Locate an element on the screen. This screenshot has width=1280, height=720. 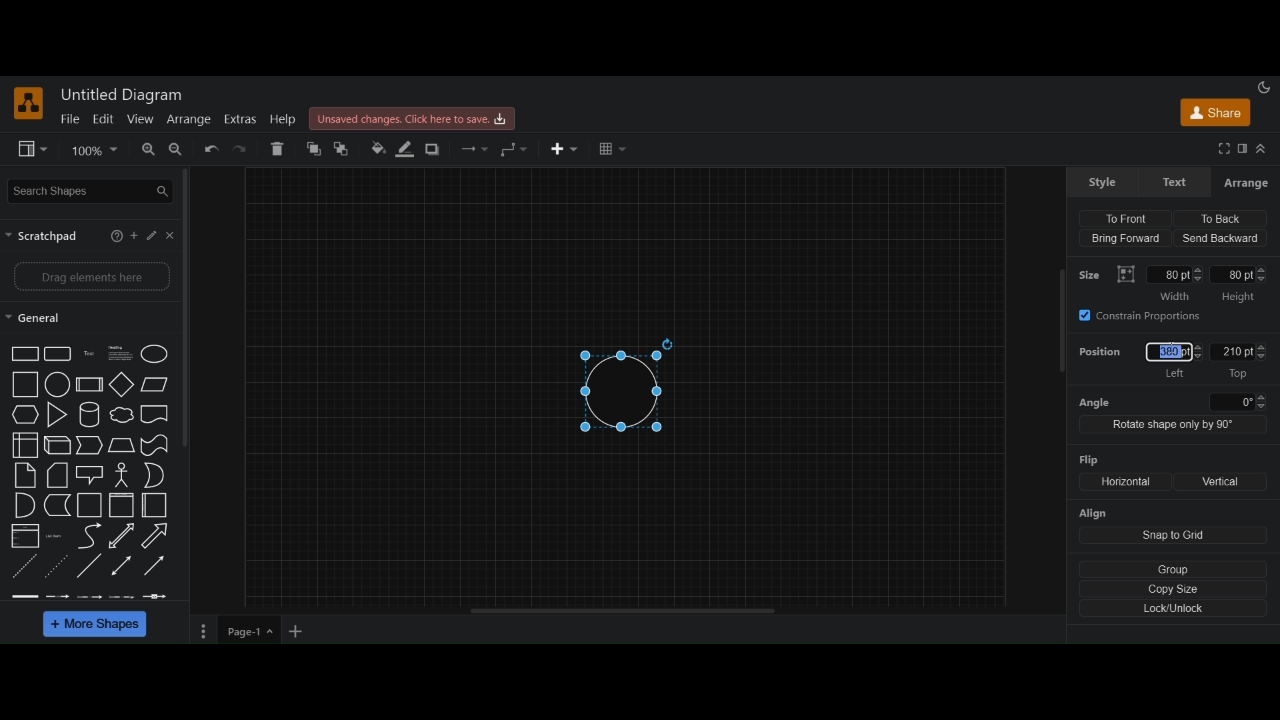
shadow is located at coordinates (435, 150).